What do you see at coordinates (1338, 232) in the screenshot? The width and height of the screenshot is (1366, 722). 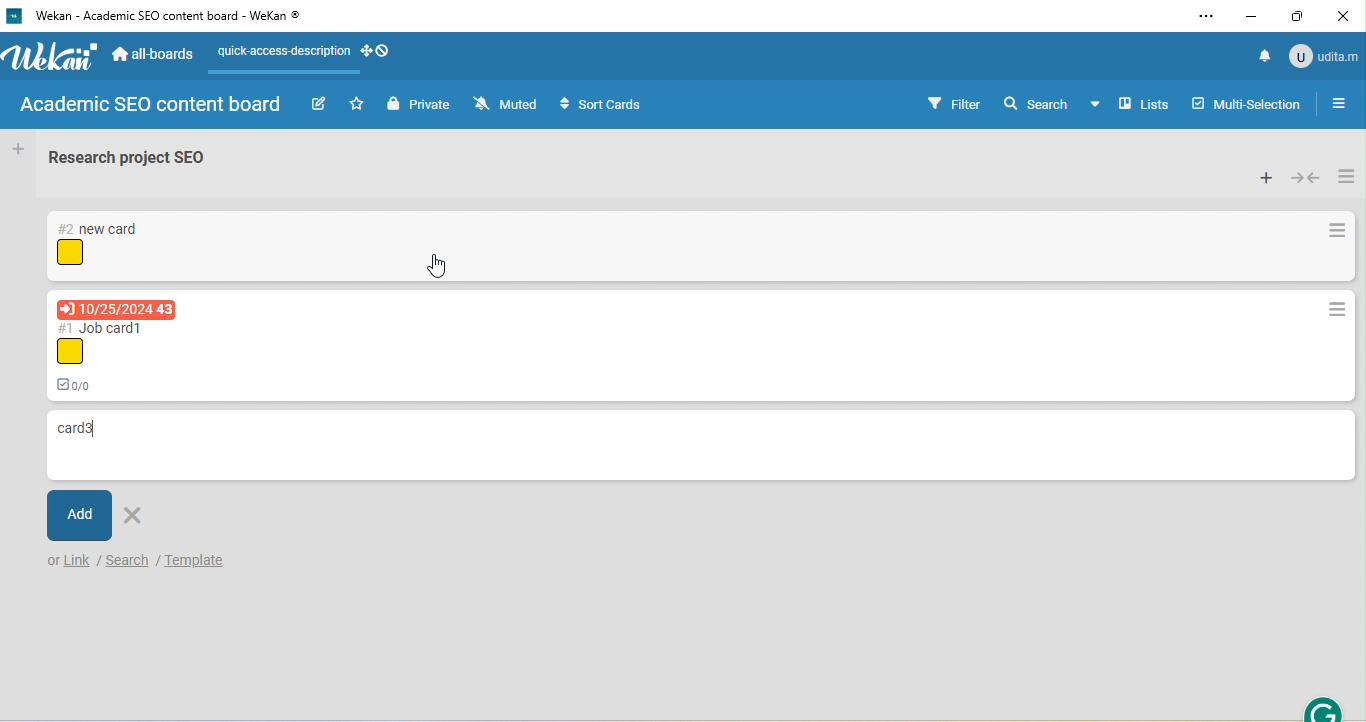 I see `card actions` at bounding box center [1338, 232].